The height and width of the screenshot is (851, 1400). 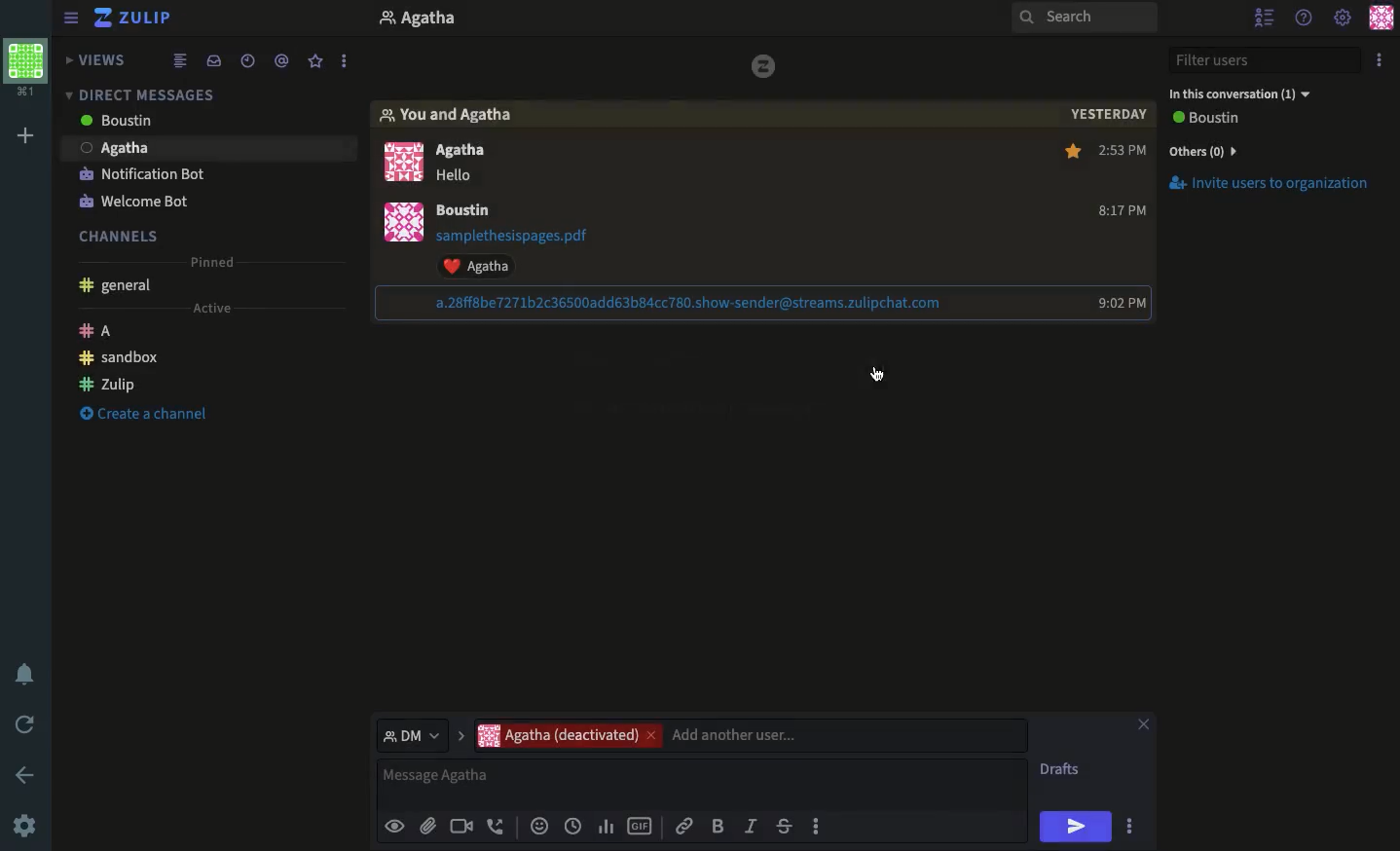 I want to click on logo, so click(x=762, y=64).